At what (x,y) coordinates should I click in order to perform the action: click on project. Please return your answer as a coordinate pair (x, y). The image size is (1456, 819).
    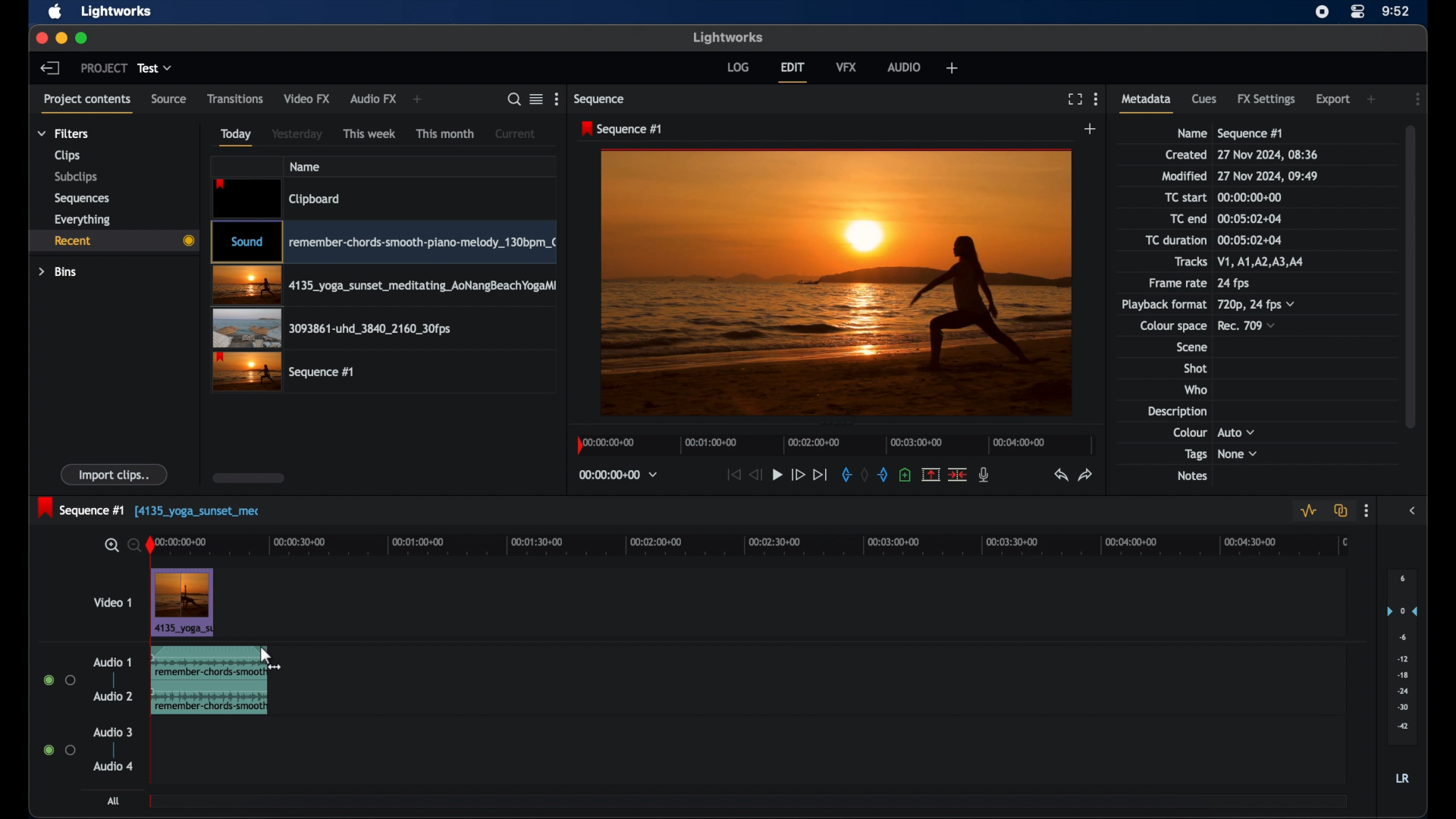
    Looking at the image, I should click on (103, 67).